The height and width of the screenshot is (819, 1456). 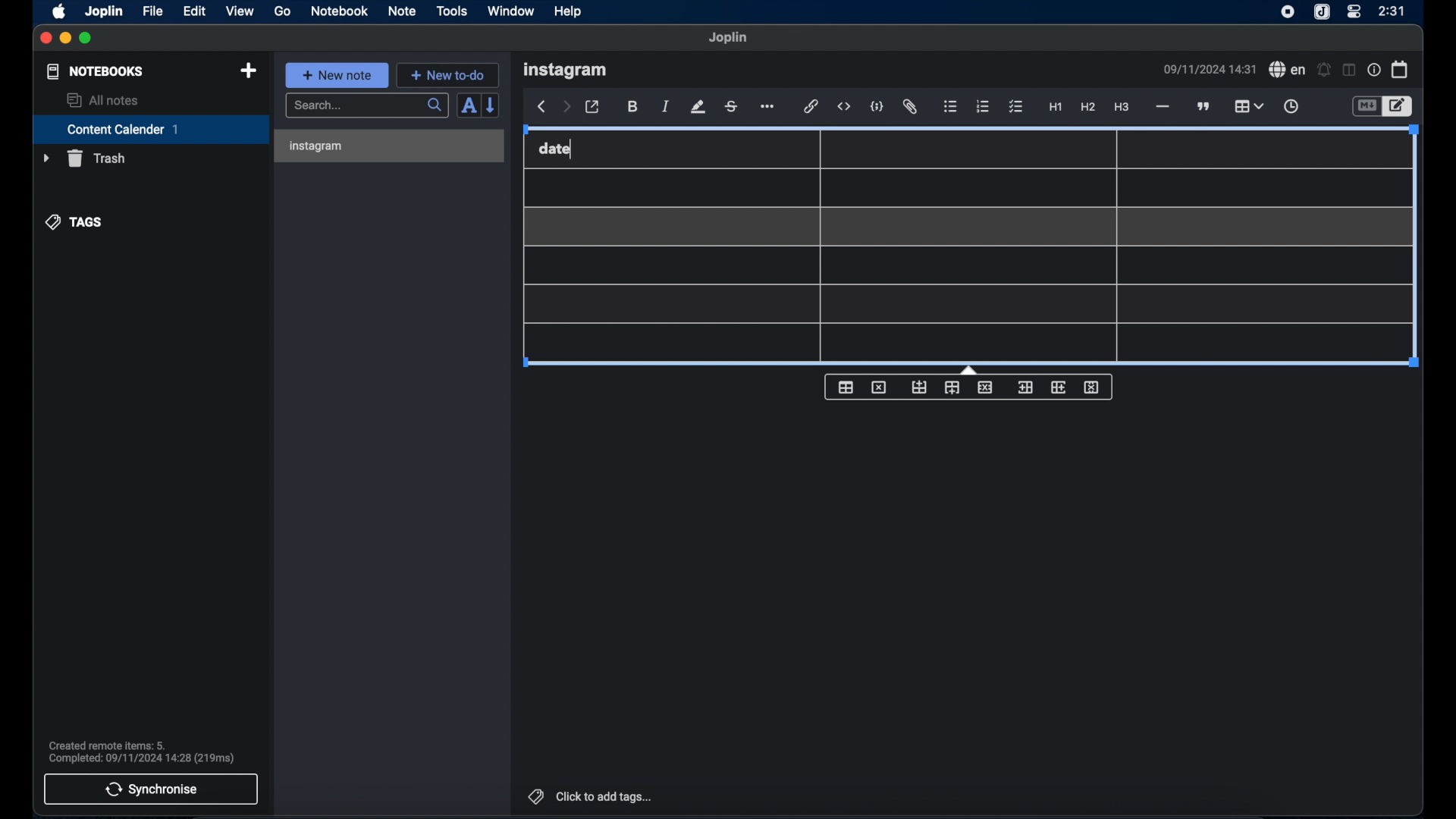 I want to click on date, so click(x=556, y=149).